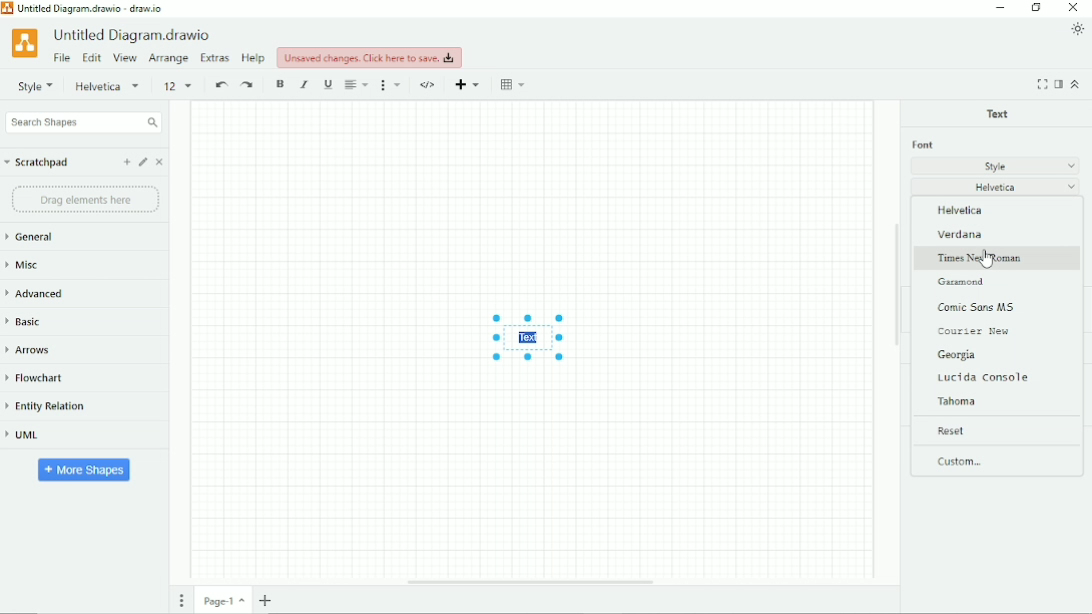 The width and height of the screenshot is (1092, 614). Describe the element at coordinates (266, 601) in the screenshot. I see `Insert page` at that location.